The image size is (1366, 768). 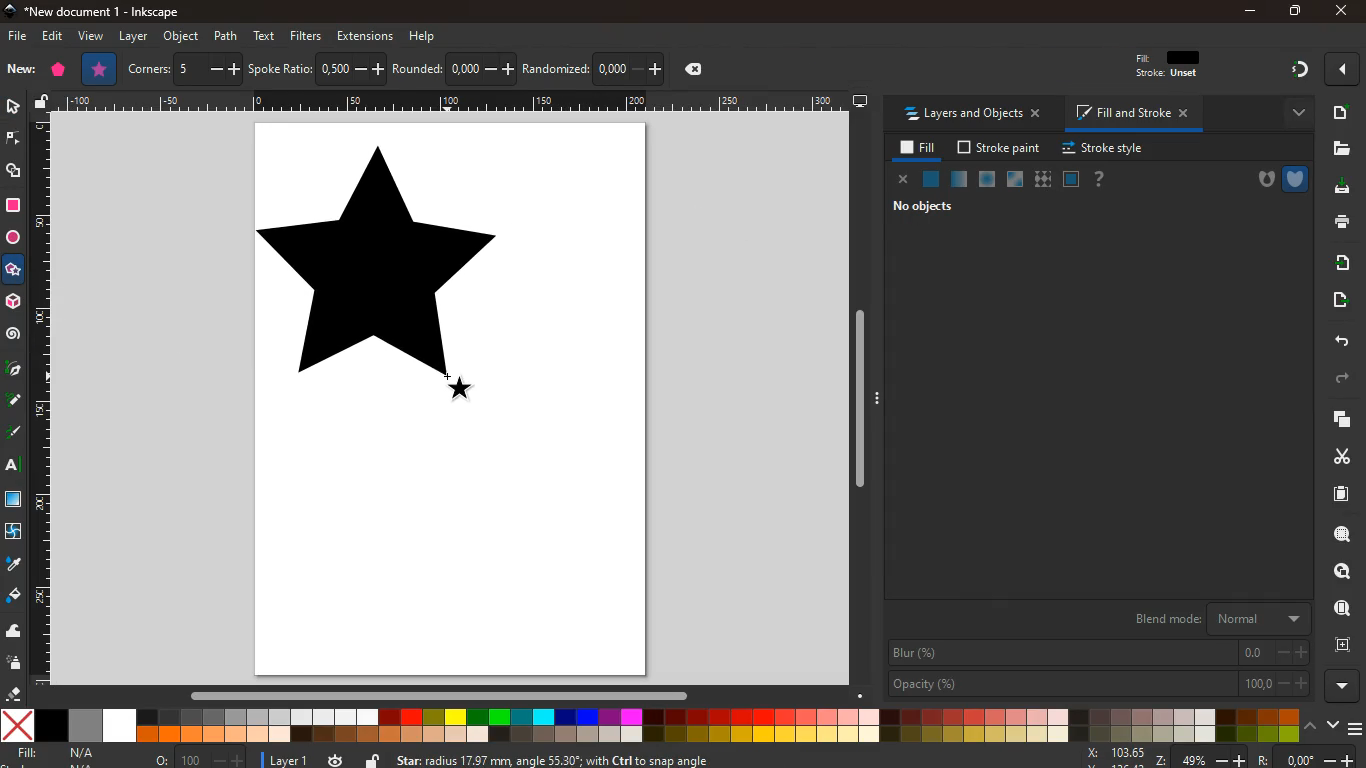 I want to click on files, so click(x=1337, y=148).